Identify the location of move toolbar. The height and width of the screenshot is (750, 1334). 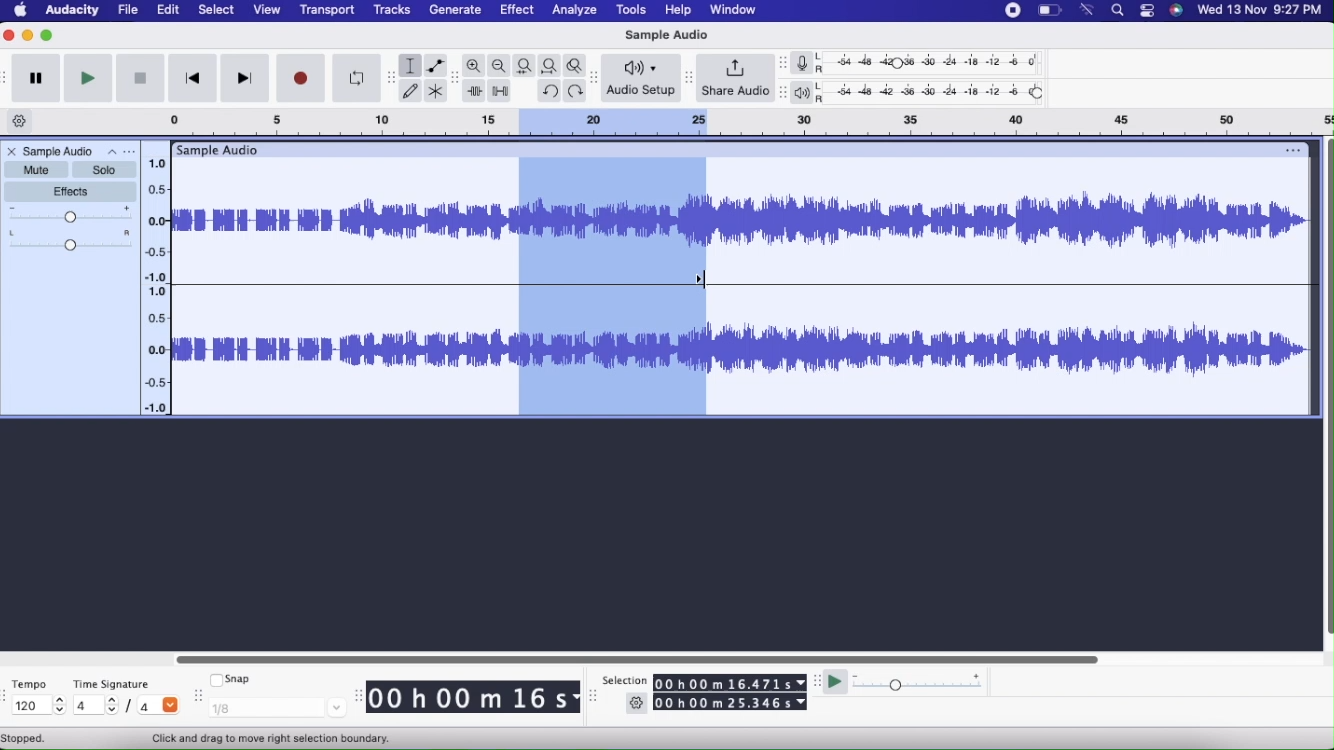
(455, 77).